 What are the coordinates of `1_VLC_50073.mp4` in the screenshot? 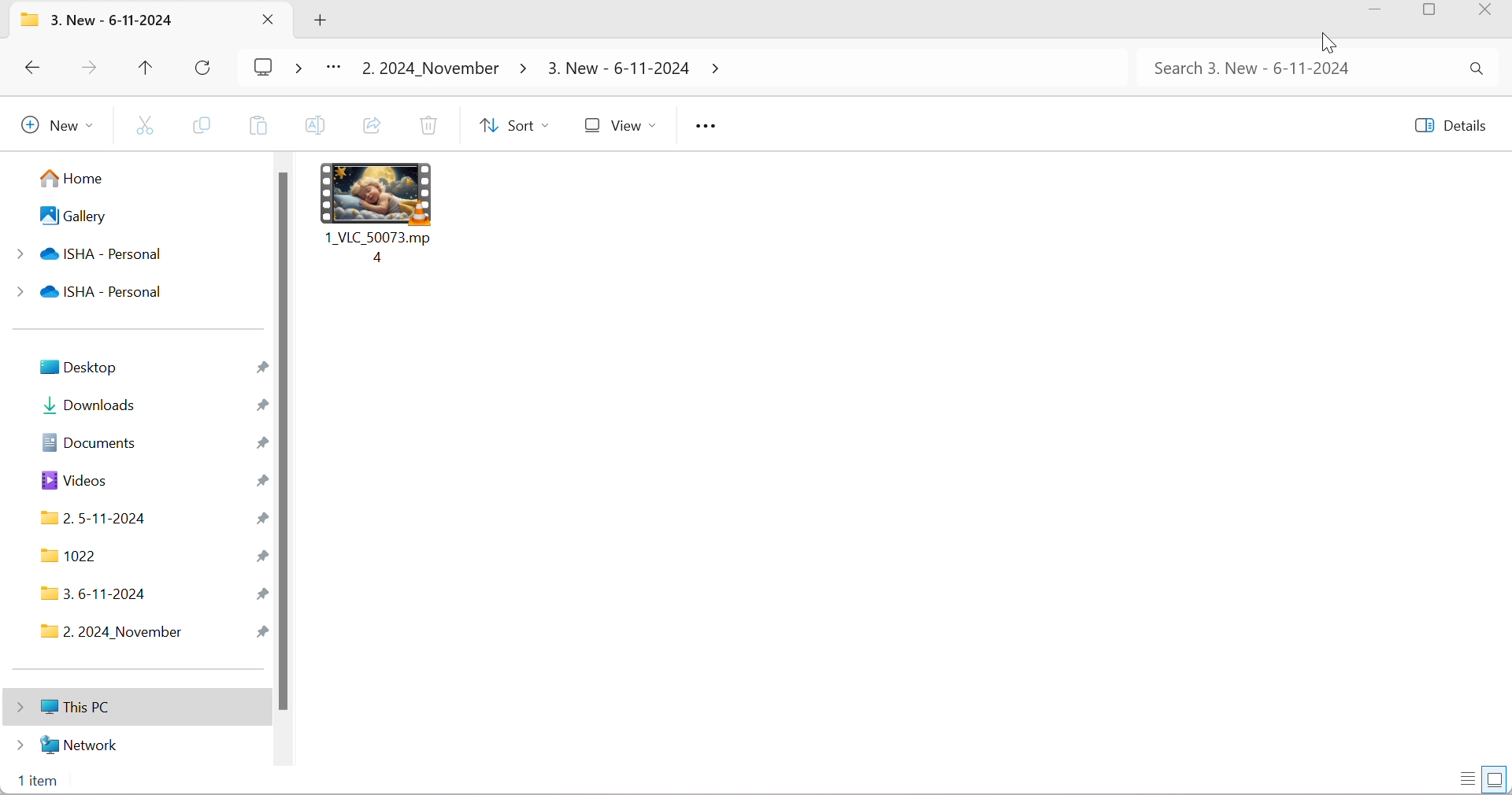 It's located at (384, 246).